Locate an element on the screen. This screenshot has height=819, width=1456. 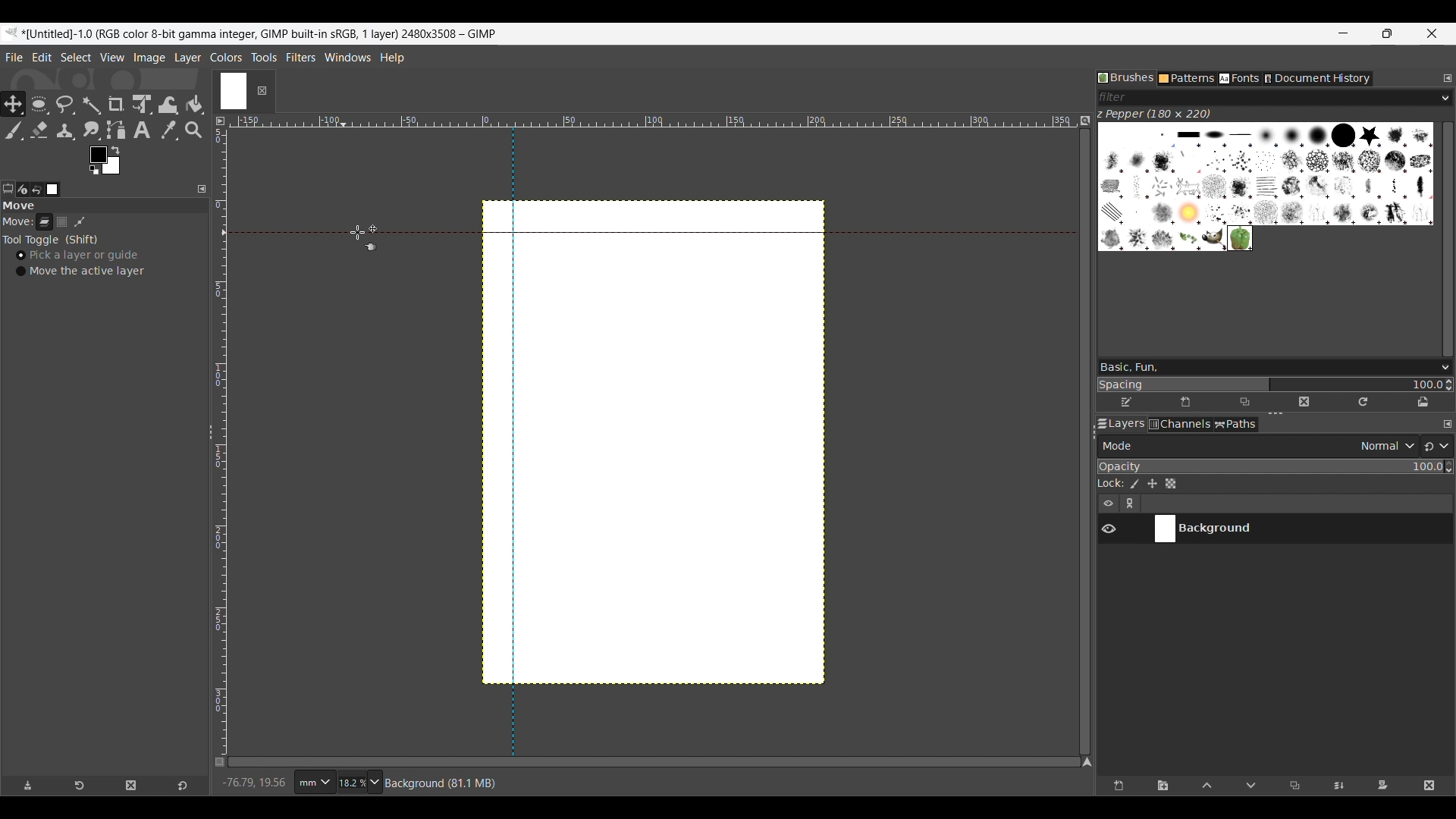
Ruler measurement is located at coordinates (313, 783).